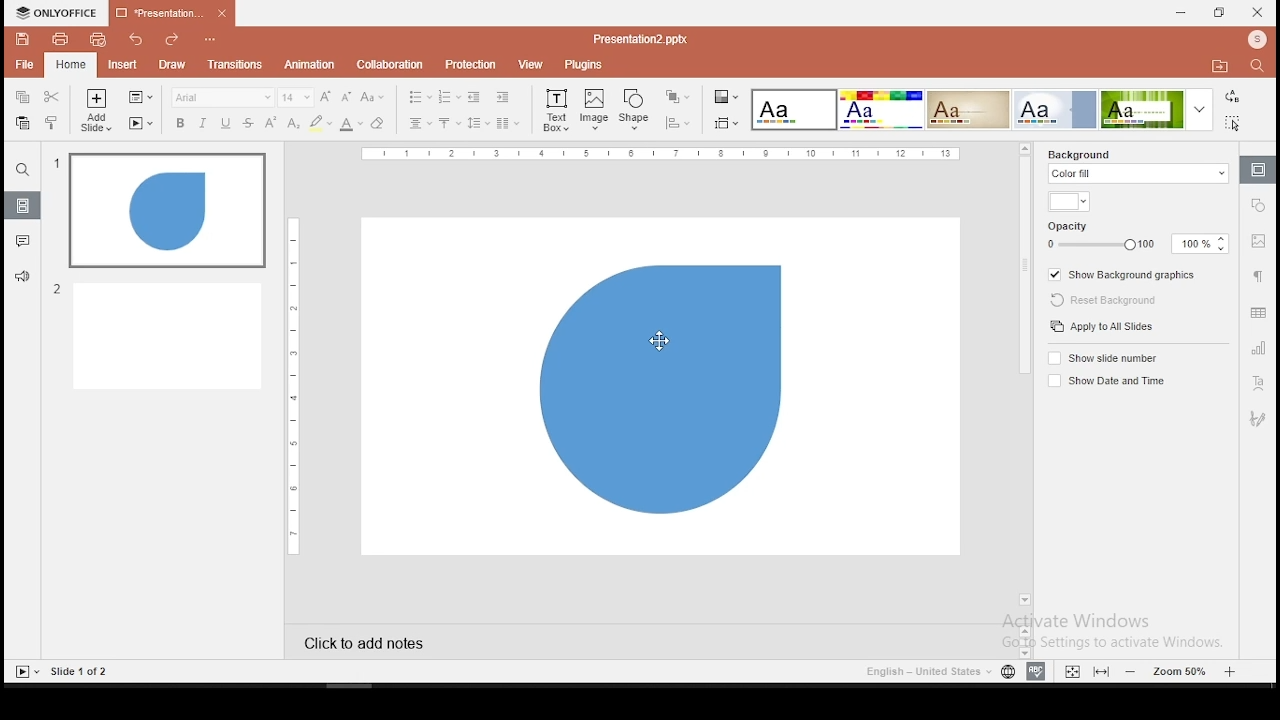  I want to click on font size, so click(297, 98).